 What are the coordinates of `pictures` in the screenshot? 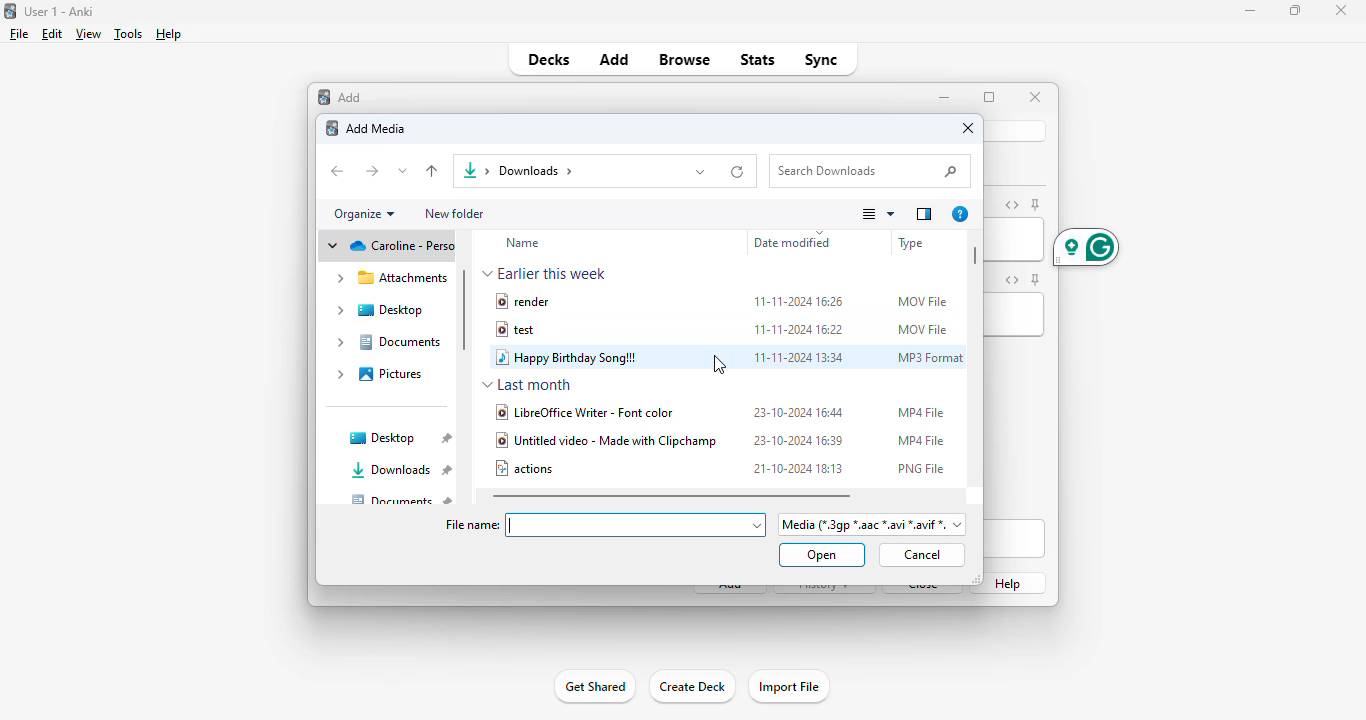 It's located at (378, 374).